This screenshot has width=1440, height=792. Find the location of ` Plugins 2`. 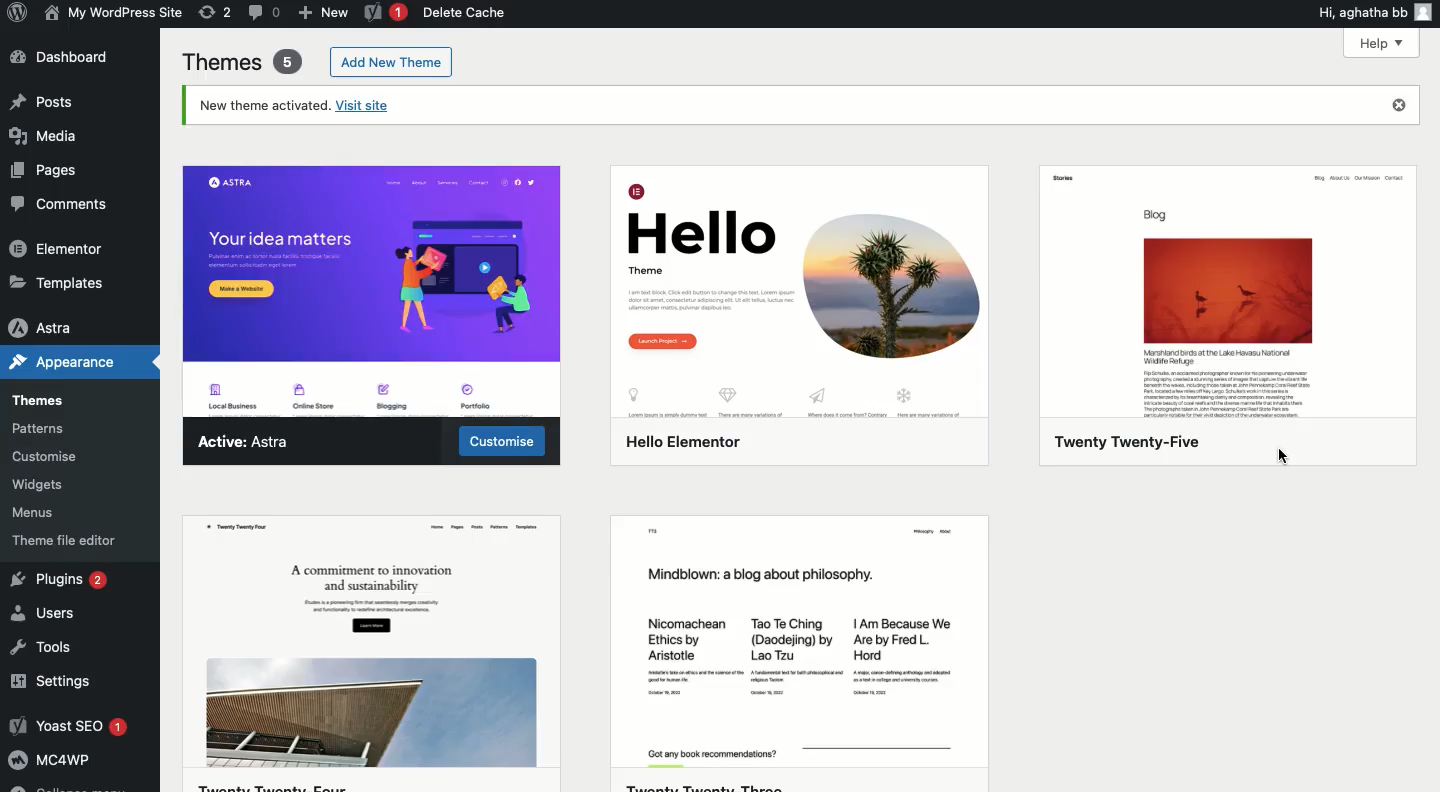

 Plugins 2 is located at coordinates (62, 578).